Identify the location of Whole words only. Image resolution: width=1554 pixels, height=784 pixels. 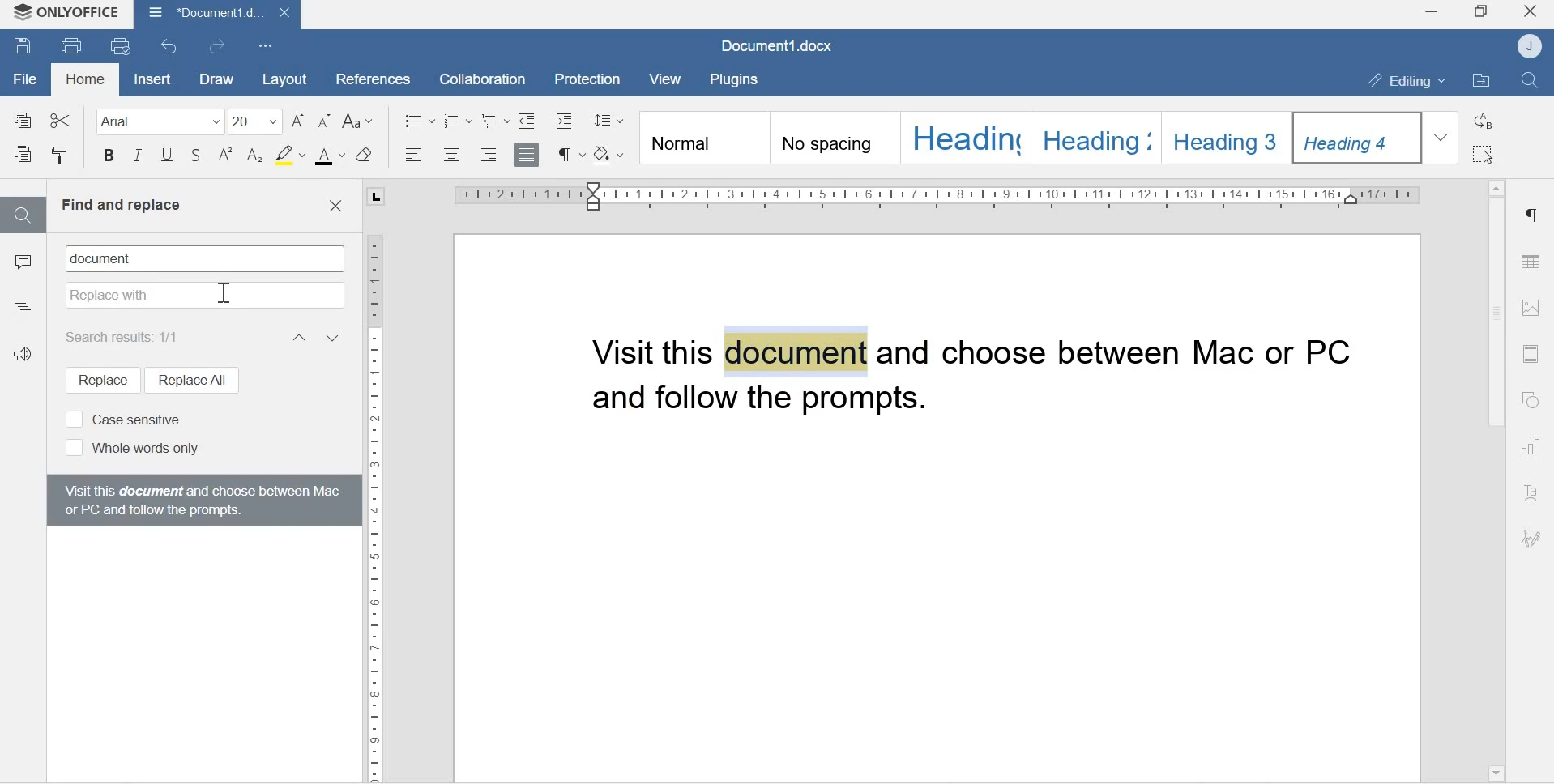
(130, 449).